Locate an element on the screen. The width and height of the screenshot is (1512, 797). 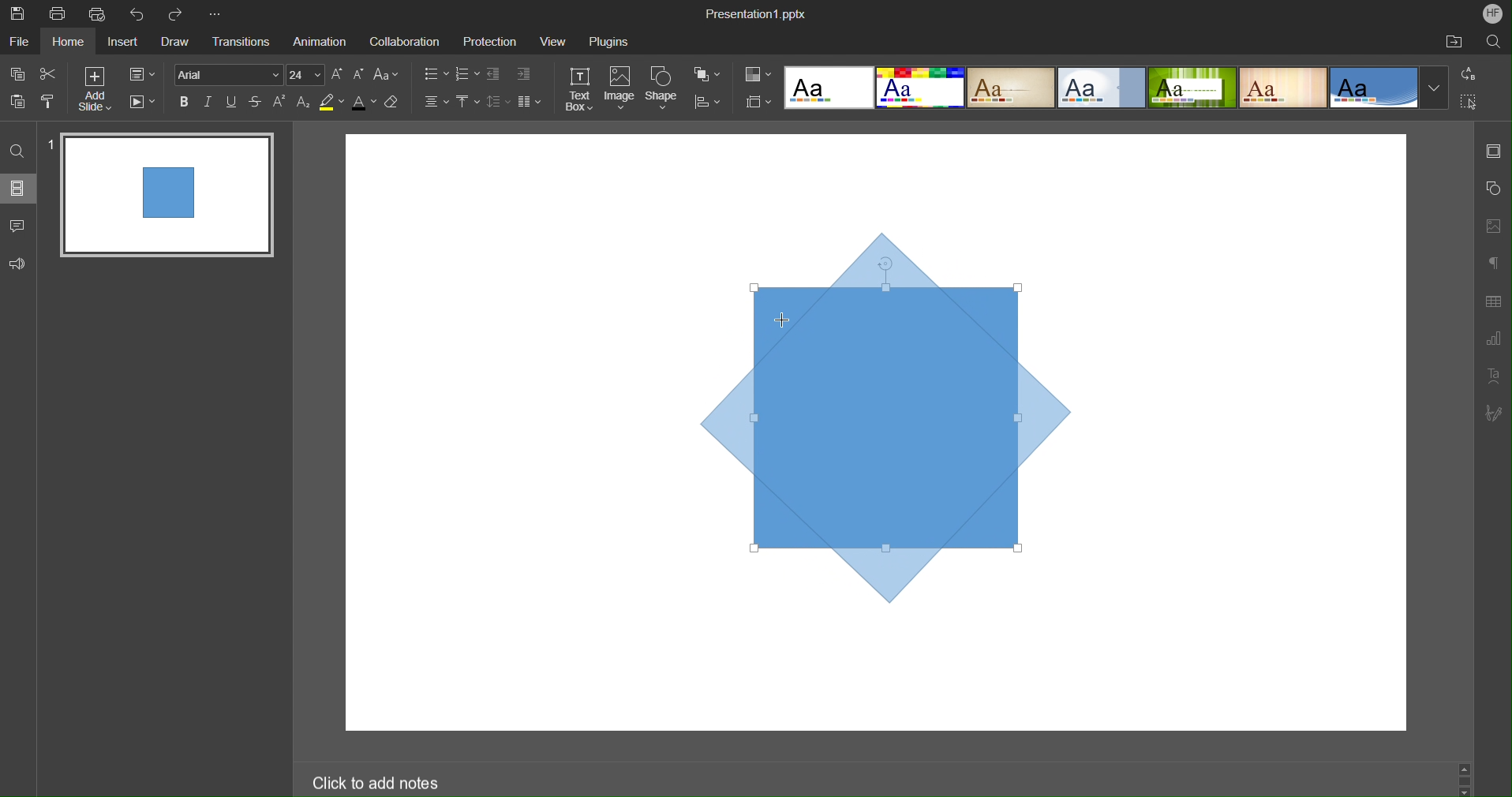
Increase Indent is located at coordinates (525, 74).